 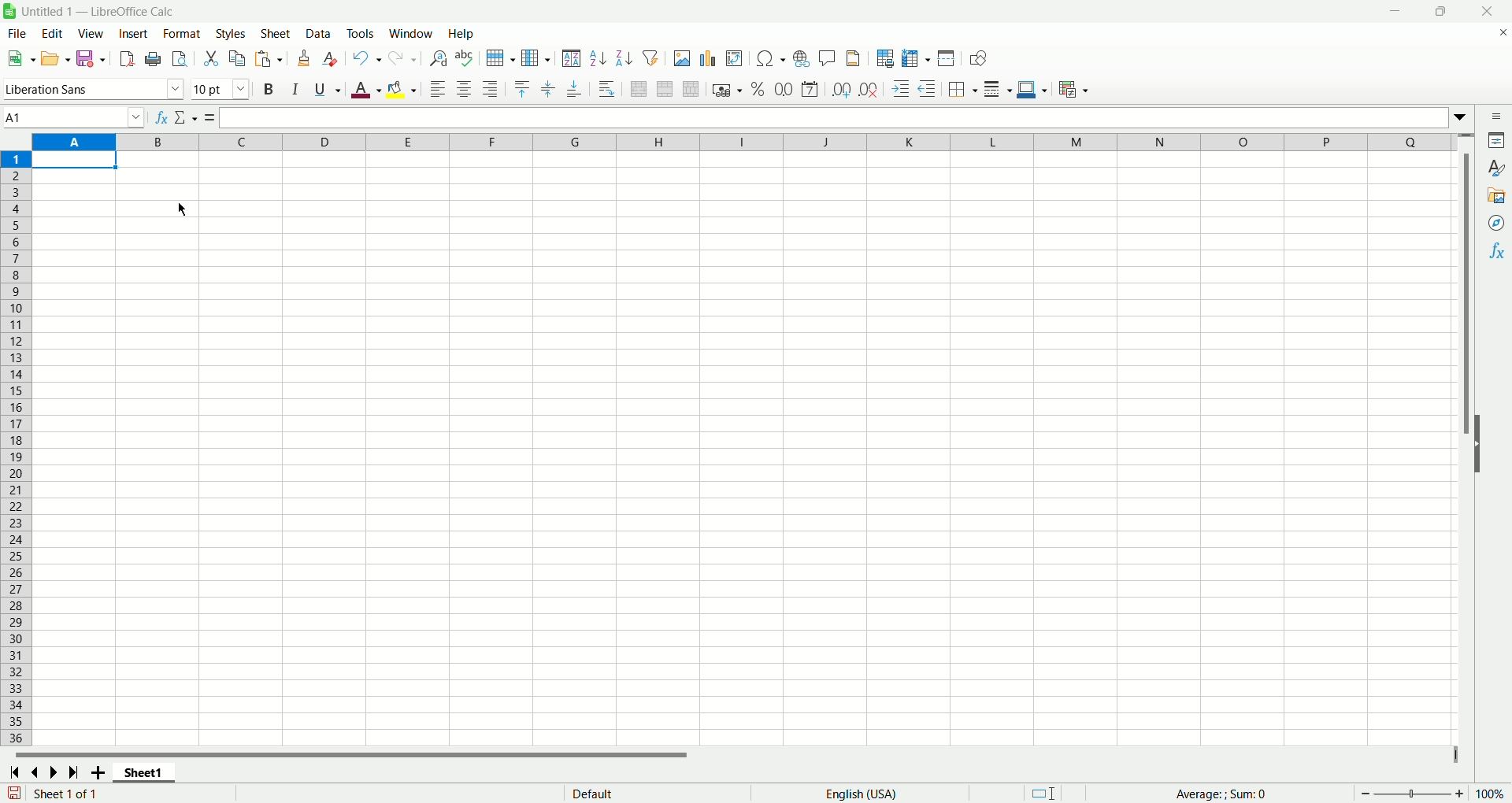 I want to click on last sheet, so click(x=76, y=772).